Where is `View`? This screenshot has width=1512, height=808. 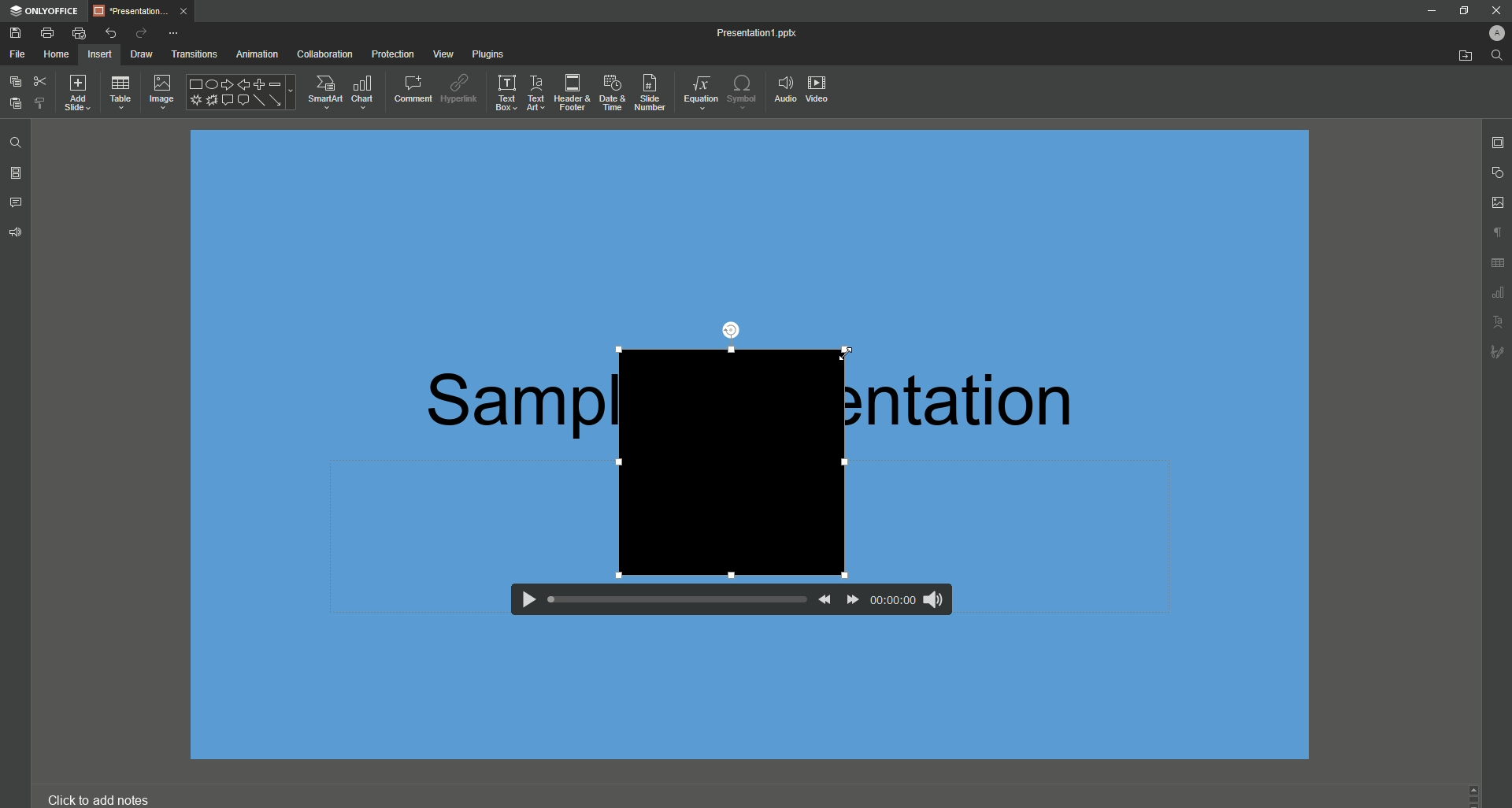 View is located at coordinates (444, 54).